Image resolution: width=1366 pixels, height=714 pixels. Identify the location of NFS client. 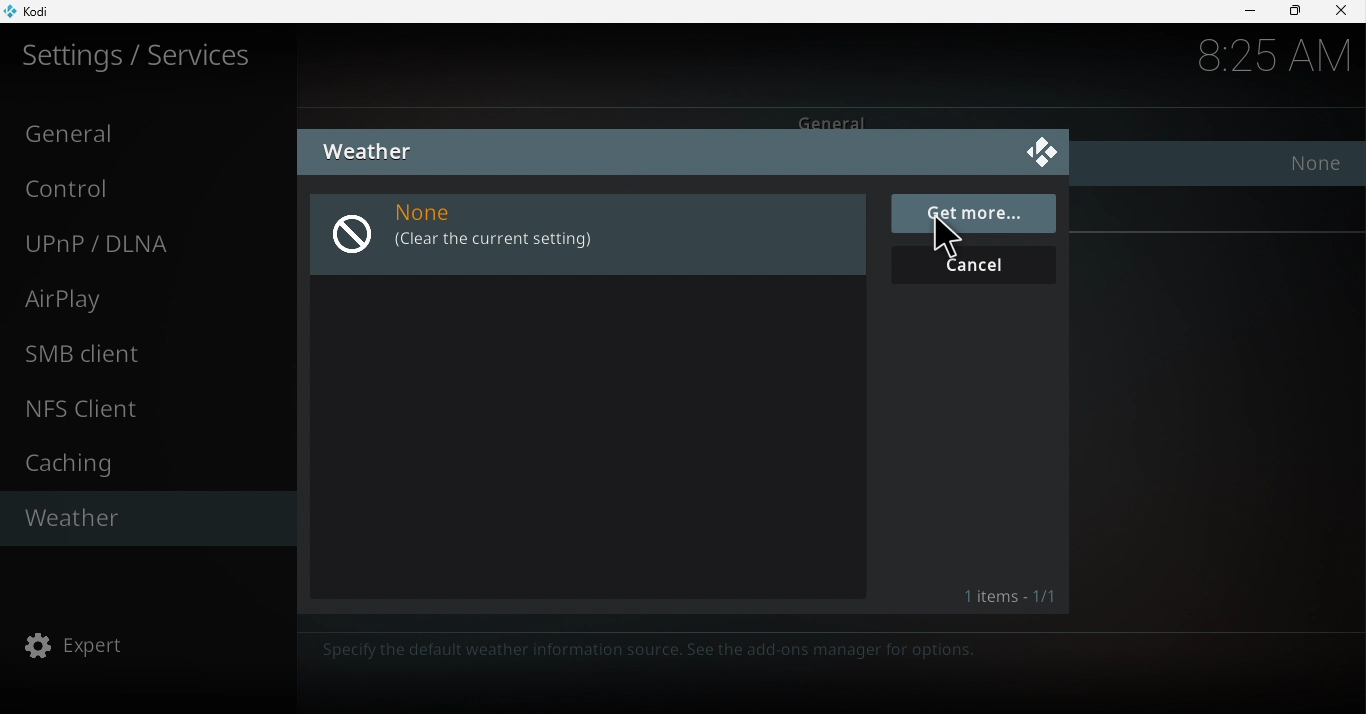
(146, 405).